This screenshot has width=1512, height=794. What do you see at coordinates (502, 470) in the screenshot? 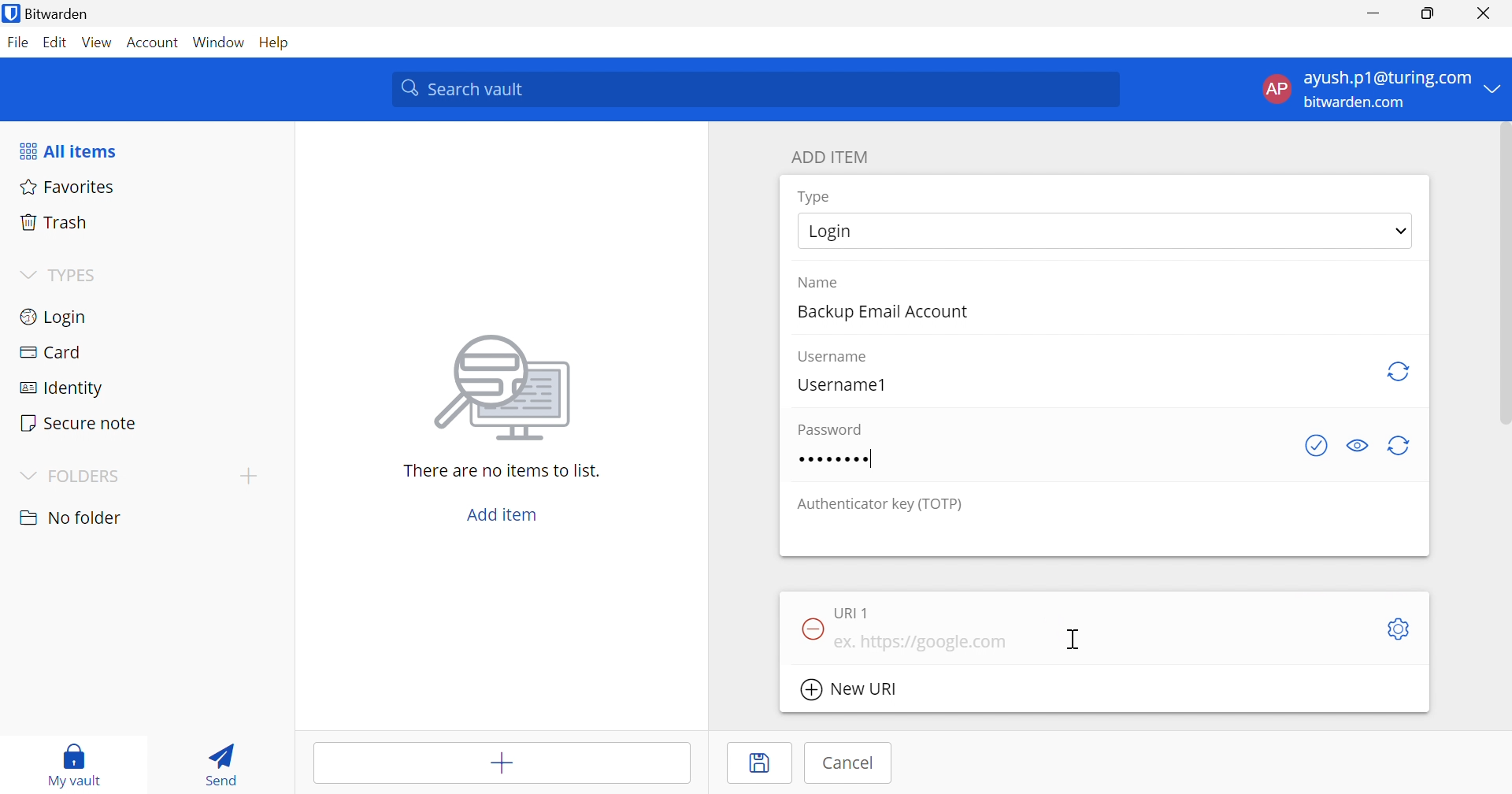
I see `There are no items to list.` at bounding box center [502, 470].